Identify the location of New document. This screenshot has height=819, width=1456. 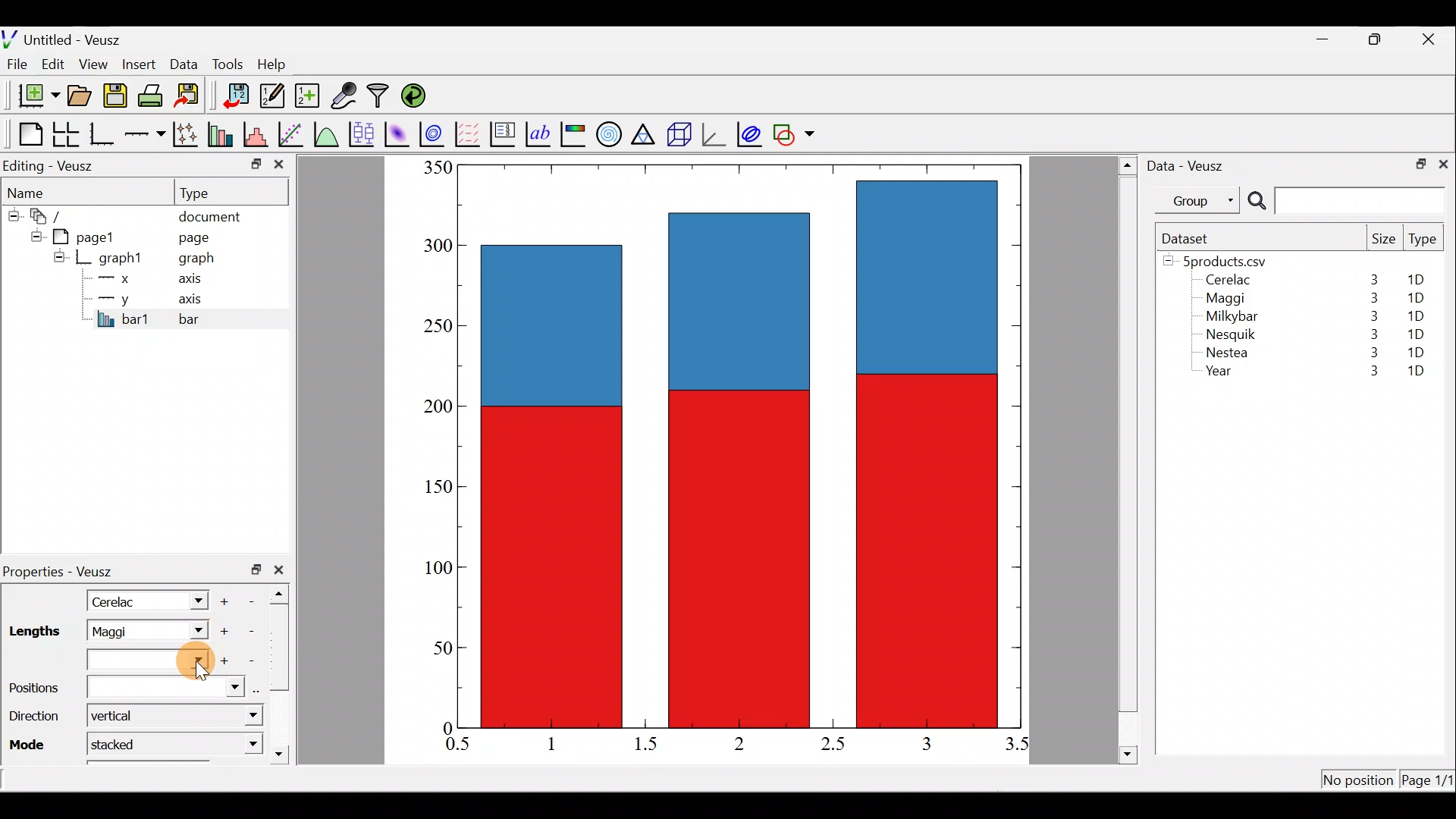
(33, 96).